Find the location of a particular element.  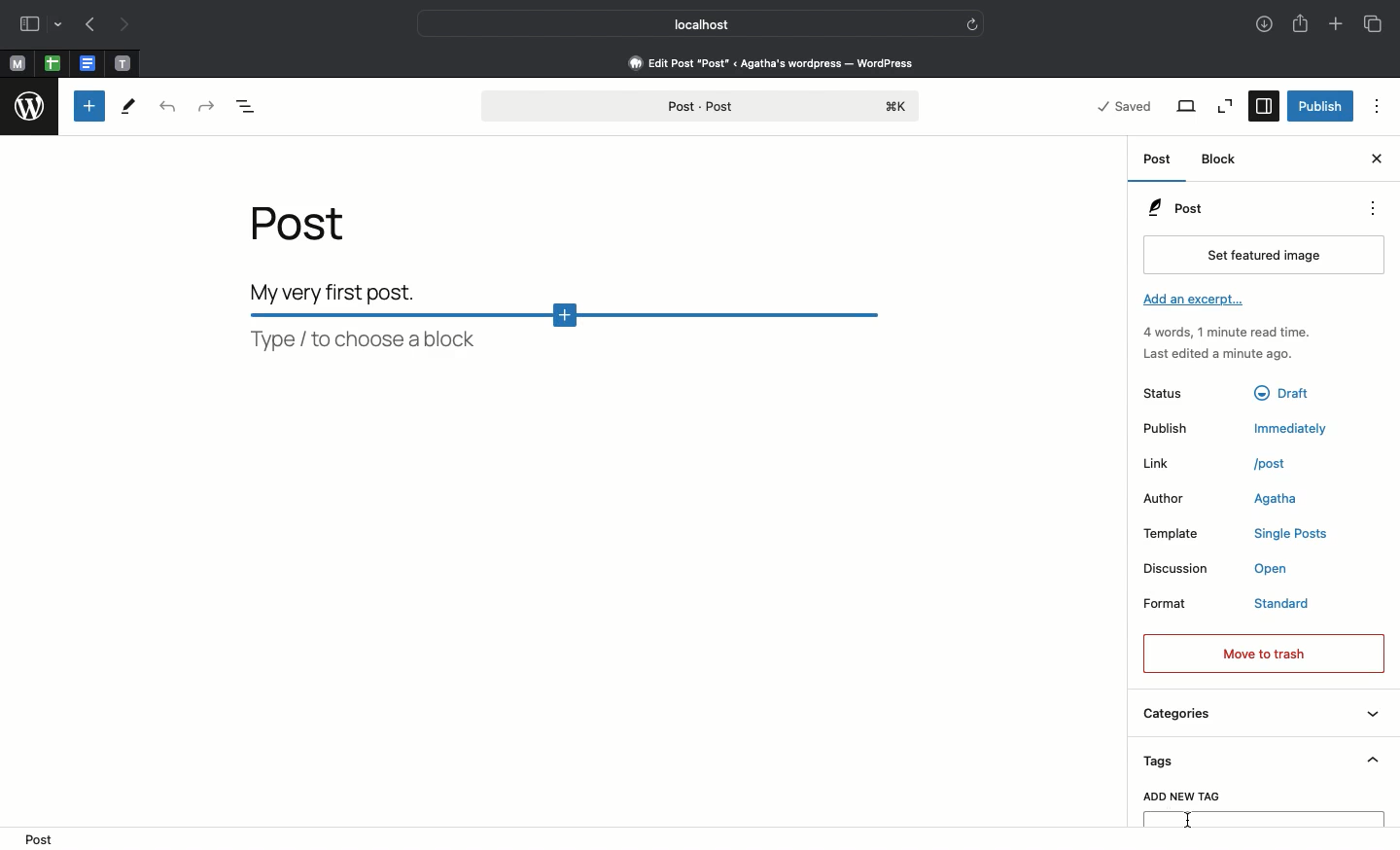

Move to trash is located at coordinates (1266, 653).